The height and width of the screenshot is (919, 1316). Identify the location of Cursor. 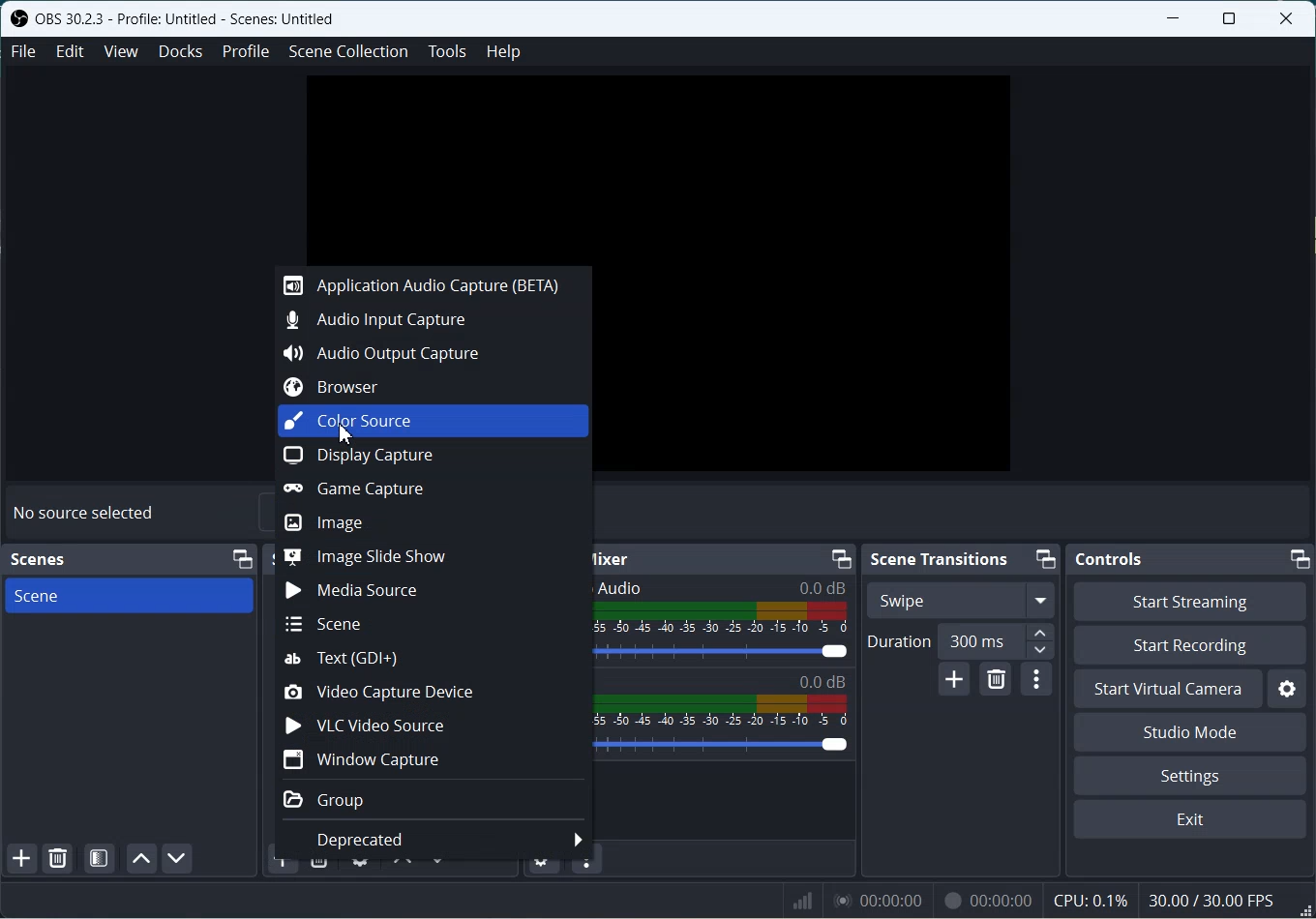
(344, 437).